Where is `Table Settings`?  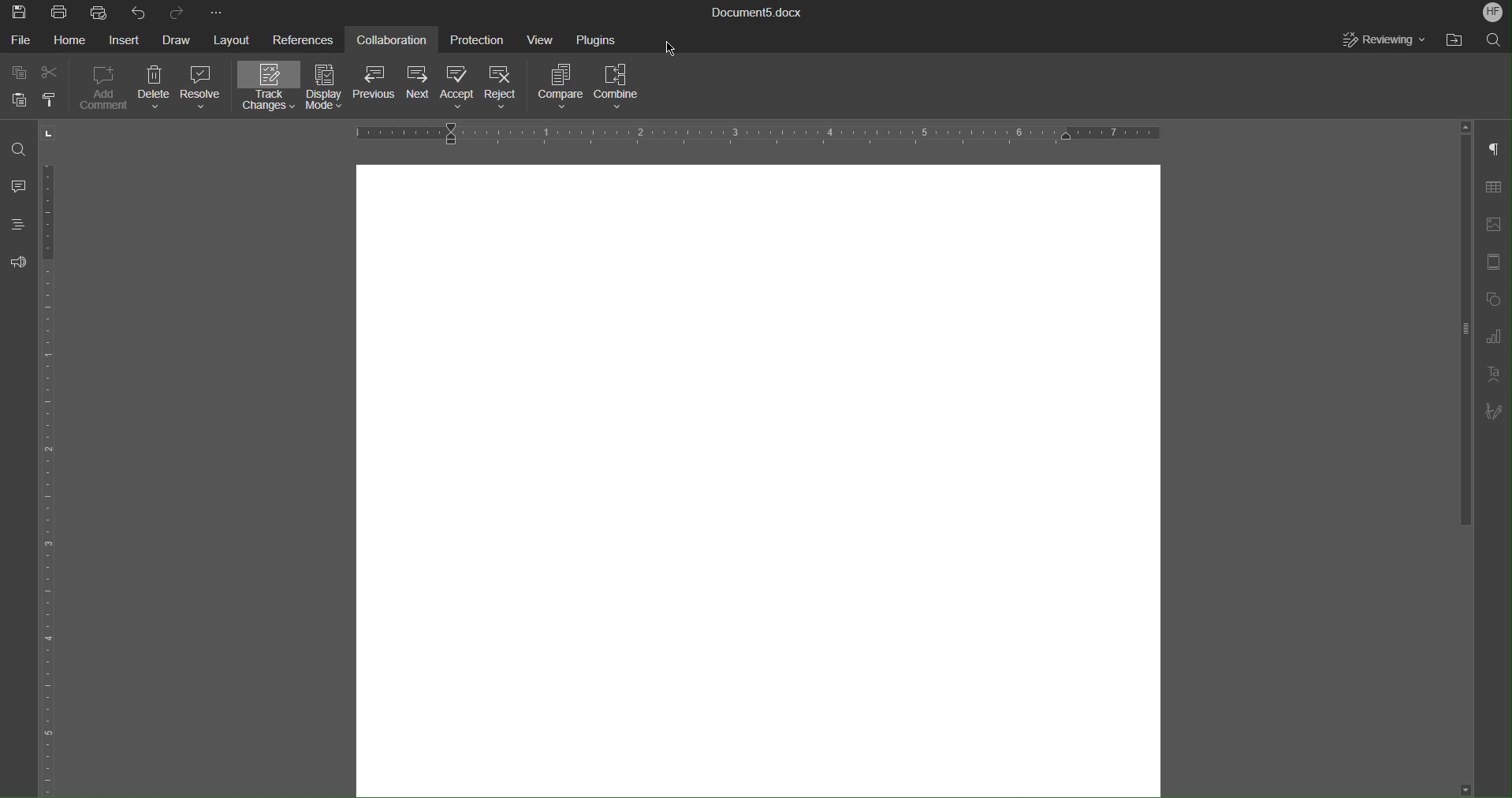
Table Settings is located at coordinates (1492, 188).